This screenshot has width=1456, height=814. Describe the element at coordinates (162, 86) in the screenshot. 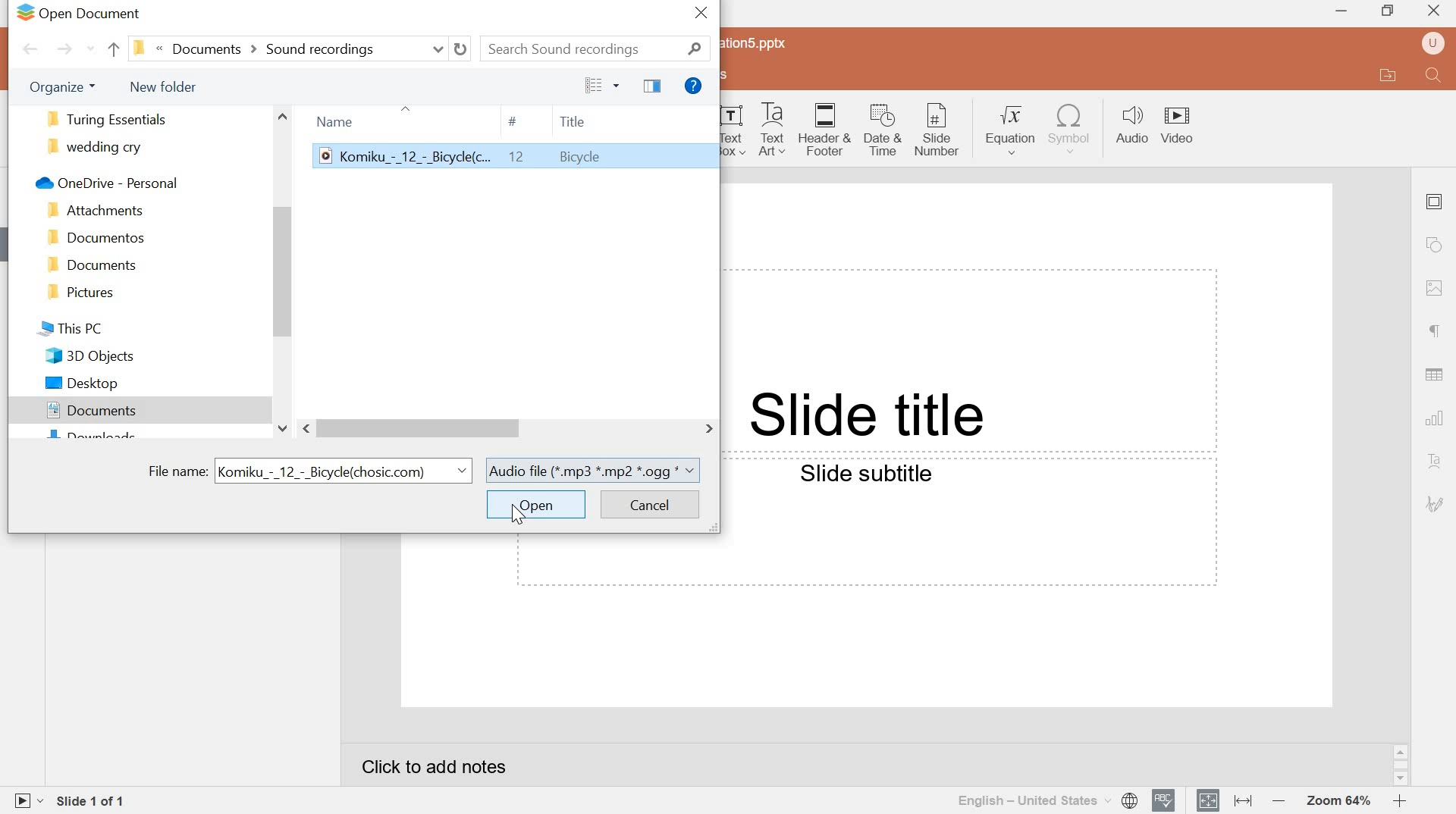

I see `new folder` at that location.